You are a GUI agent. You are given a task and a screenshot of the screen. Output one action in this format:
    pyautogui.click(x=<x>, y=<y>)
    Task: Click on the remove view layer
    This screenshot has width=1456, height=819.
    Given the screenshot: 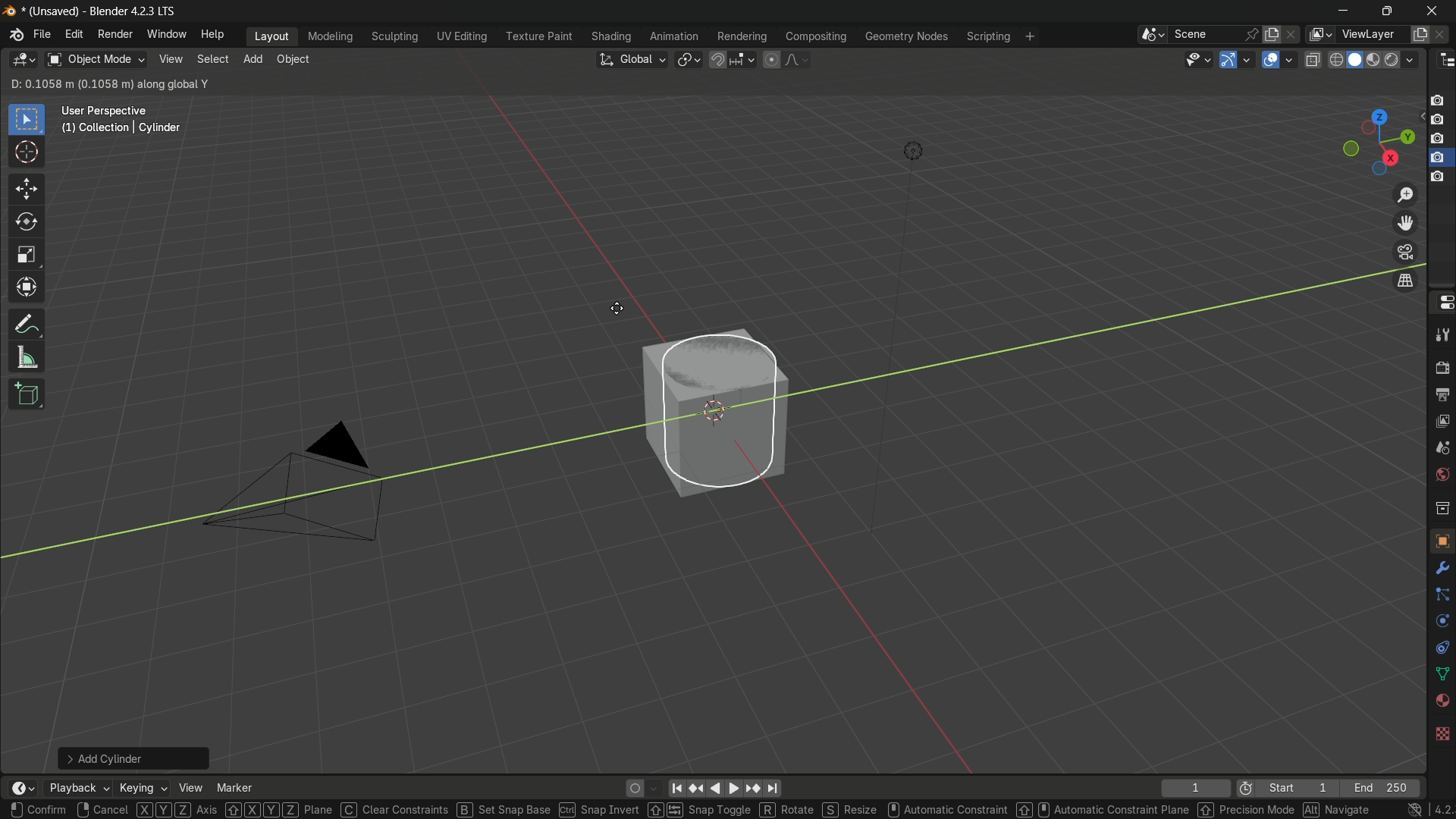 What is the action you would take?
    pyautogui.click(x=1444, y=35)
    